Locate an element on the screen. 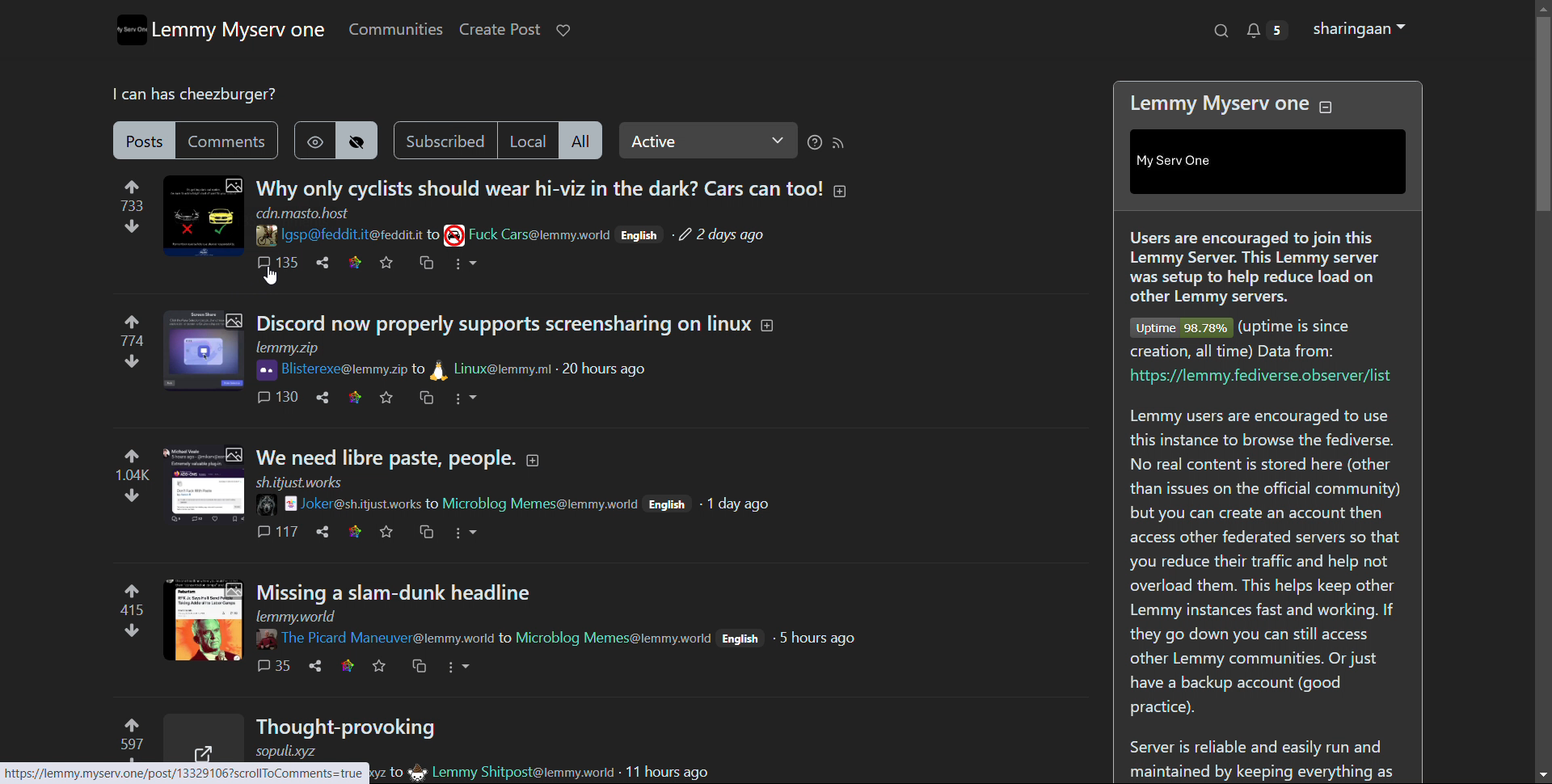 The image size is (1552, 784). communities is located at coordinates (395, 29).